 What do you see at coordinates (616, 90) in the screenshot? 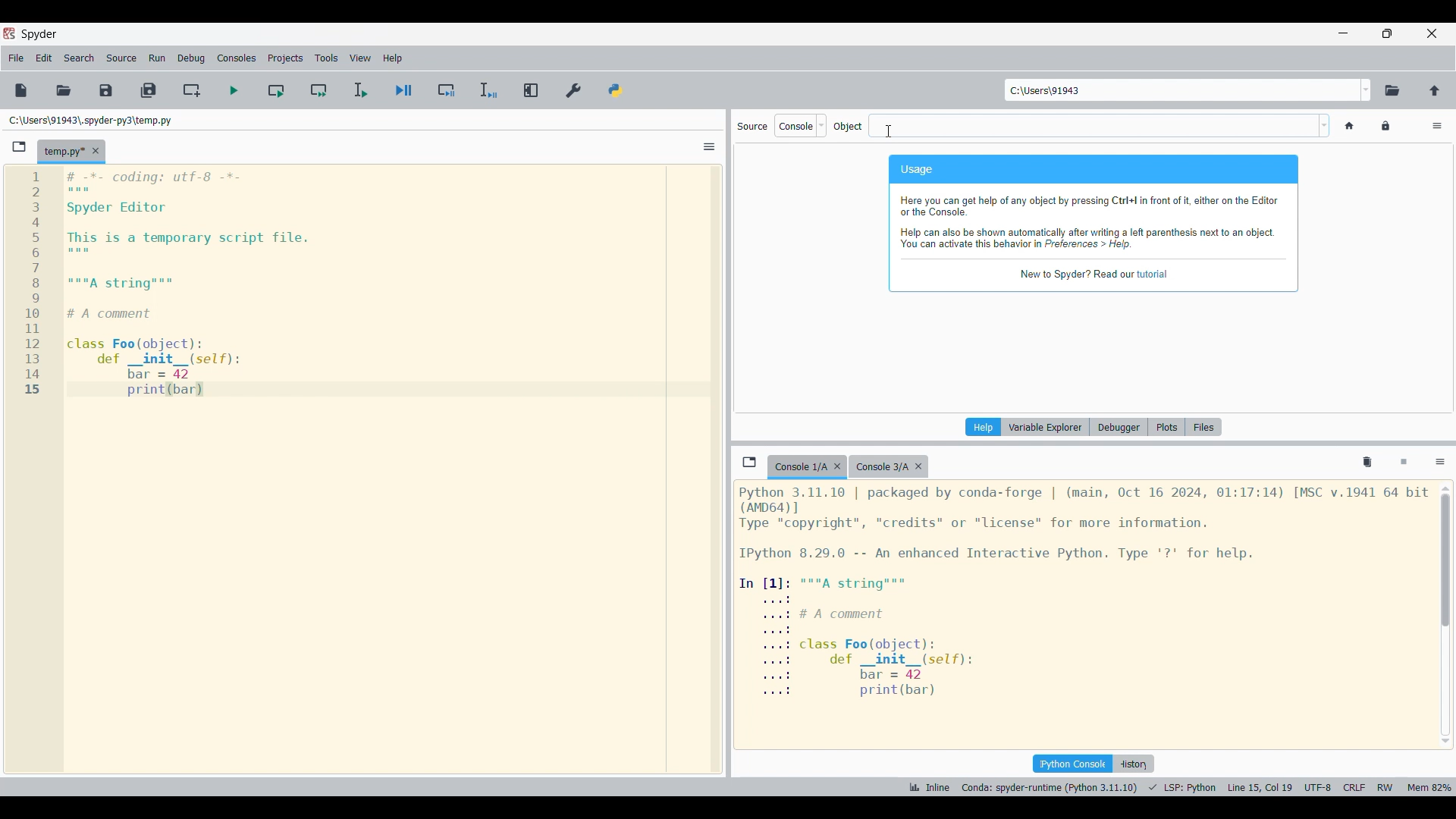
I see `PYTHONPATH manager` at bounding box center [616, 90].